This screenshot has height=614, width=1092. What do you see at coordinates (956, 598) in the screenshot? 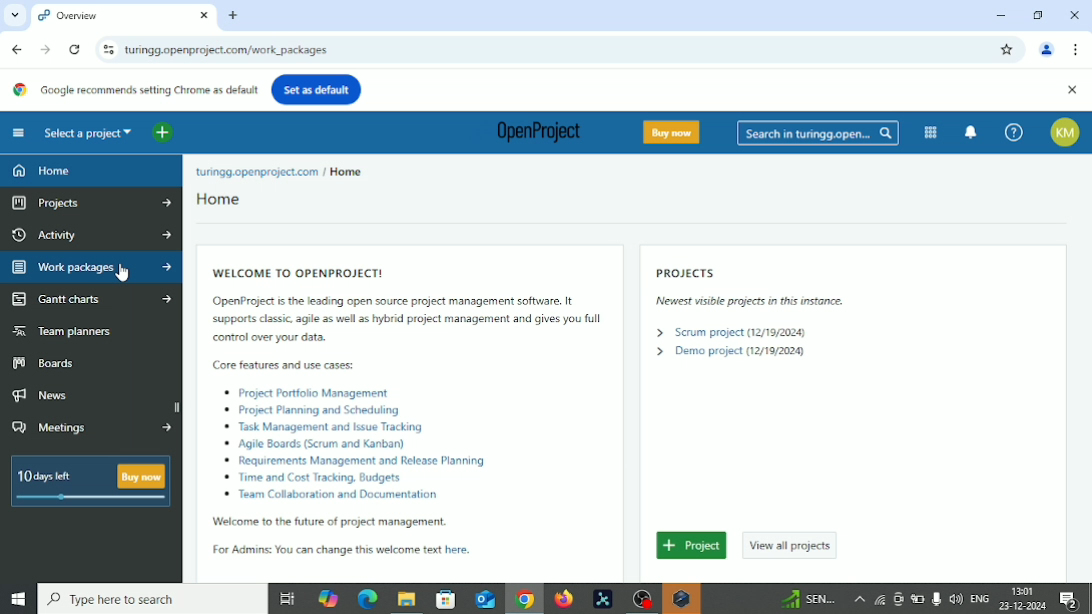
I see `speaker` at bounding box center [956, 598].